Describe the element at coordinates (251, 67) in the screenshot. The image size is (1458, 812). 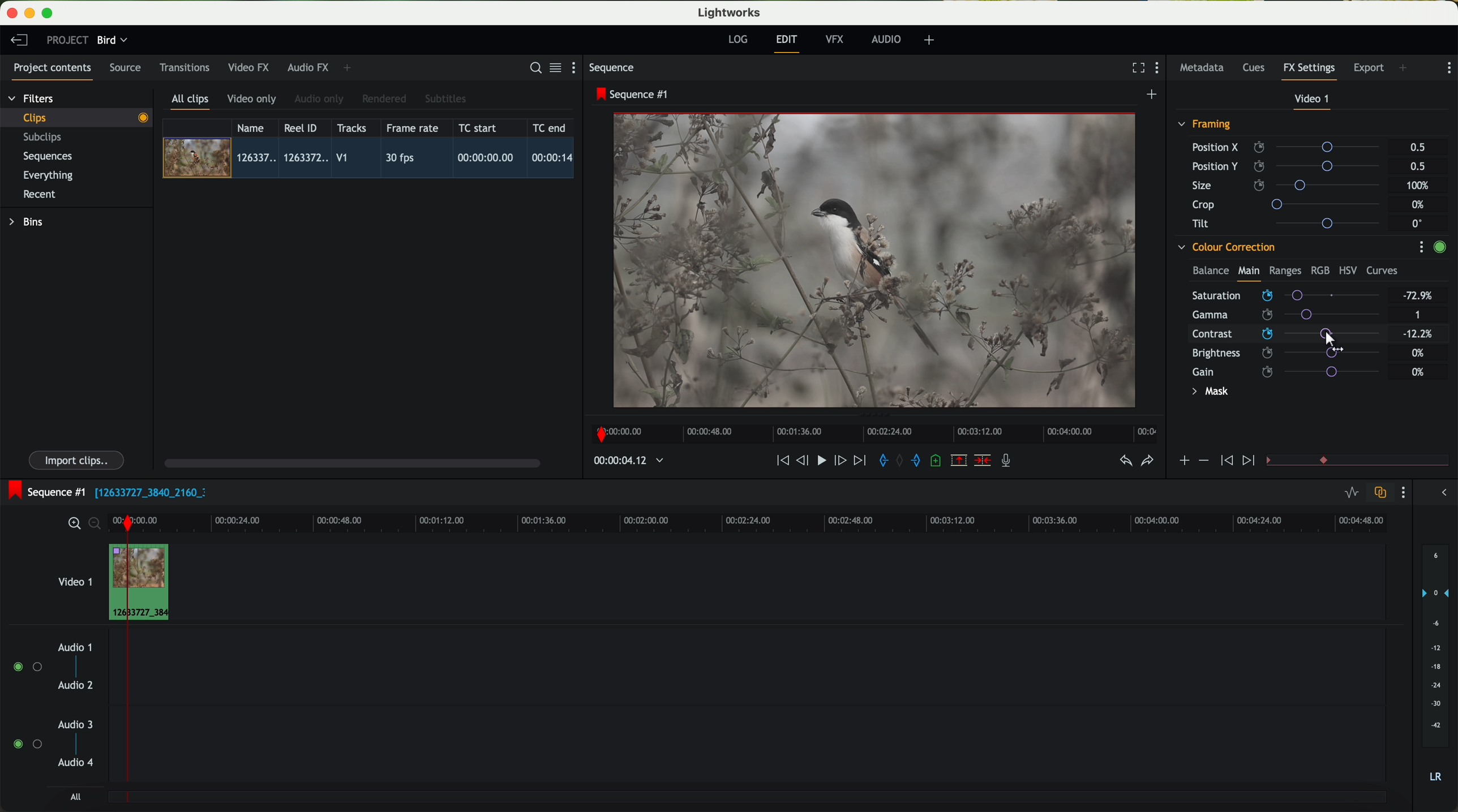
I see `video FX` at that location.